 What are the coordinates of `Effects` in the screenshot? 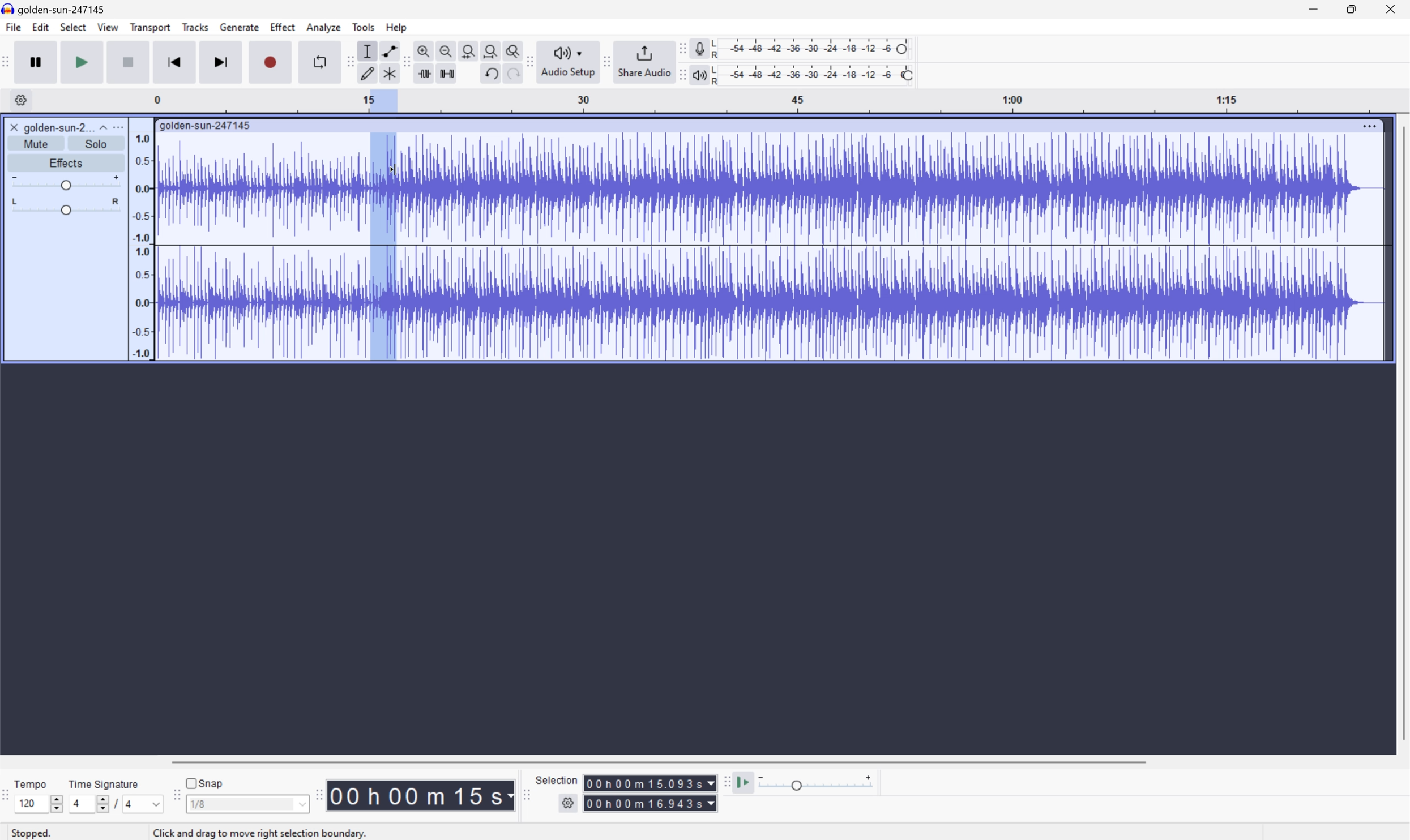 It's located at (66, 162).